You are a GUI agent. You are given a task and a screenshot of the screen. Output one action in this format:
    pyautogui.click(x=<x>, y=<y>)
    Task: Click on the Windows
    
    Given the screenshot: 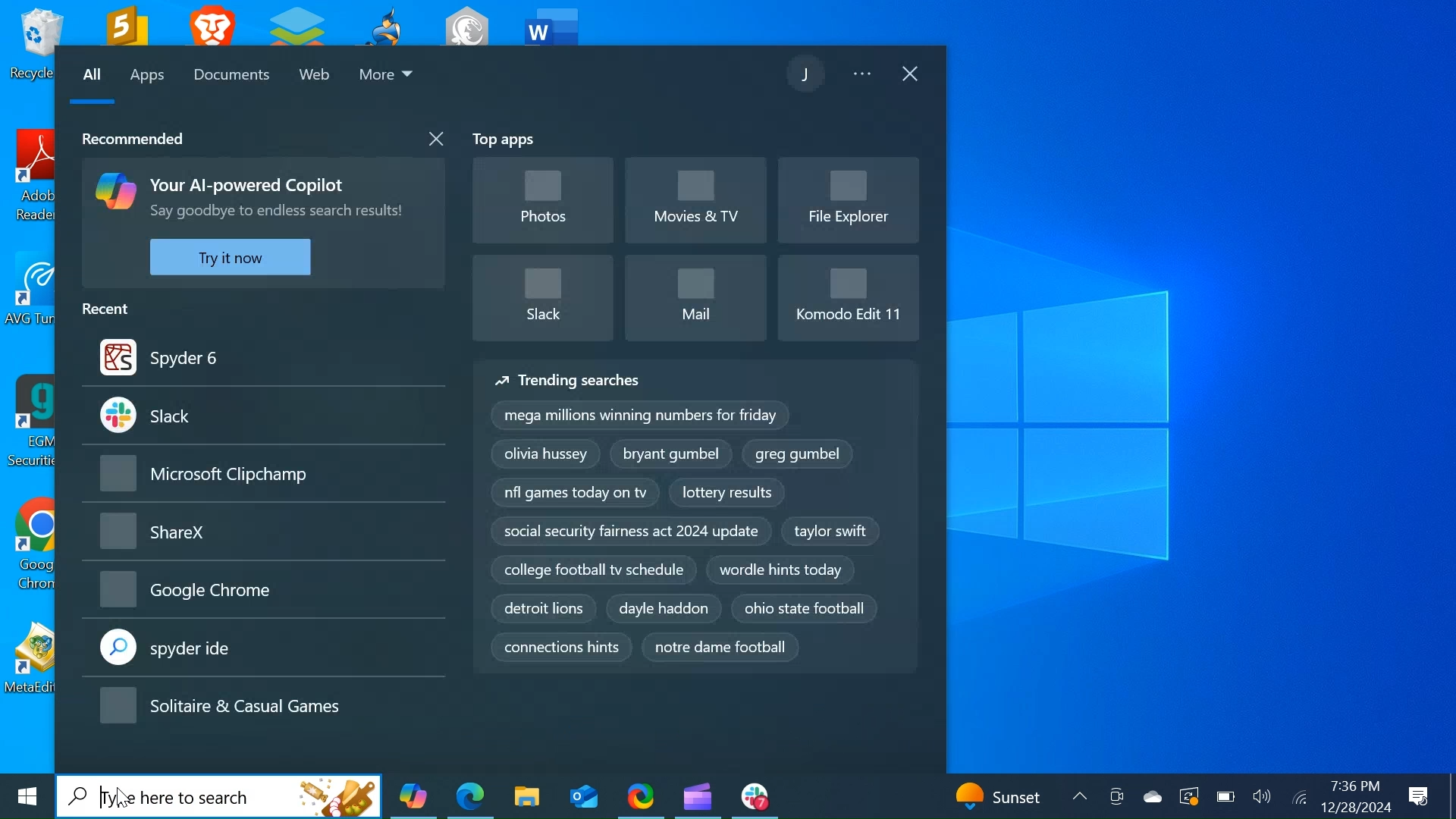 What is the action you would take?
    pyautogui.click(x=25, y=800)
    